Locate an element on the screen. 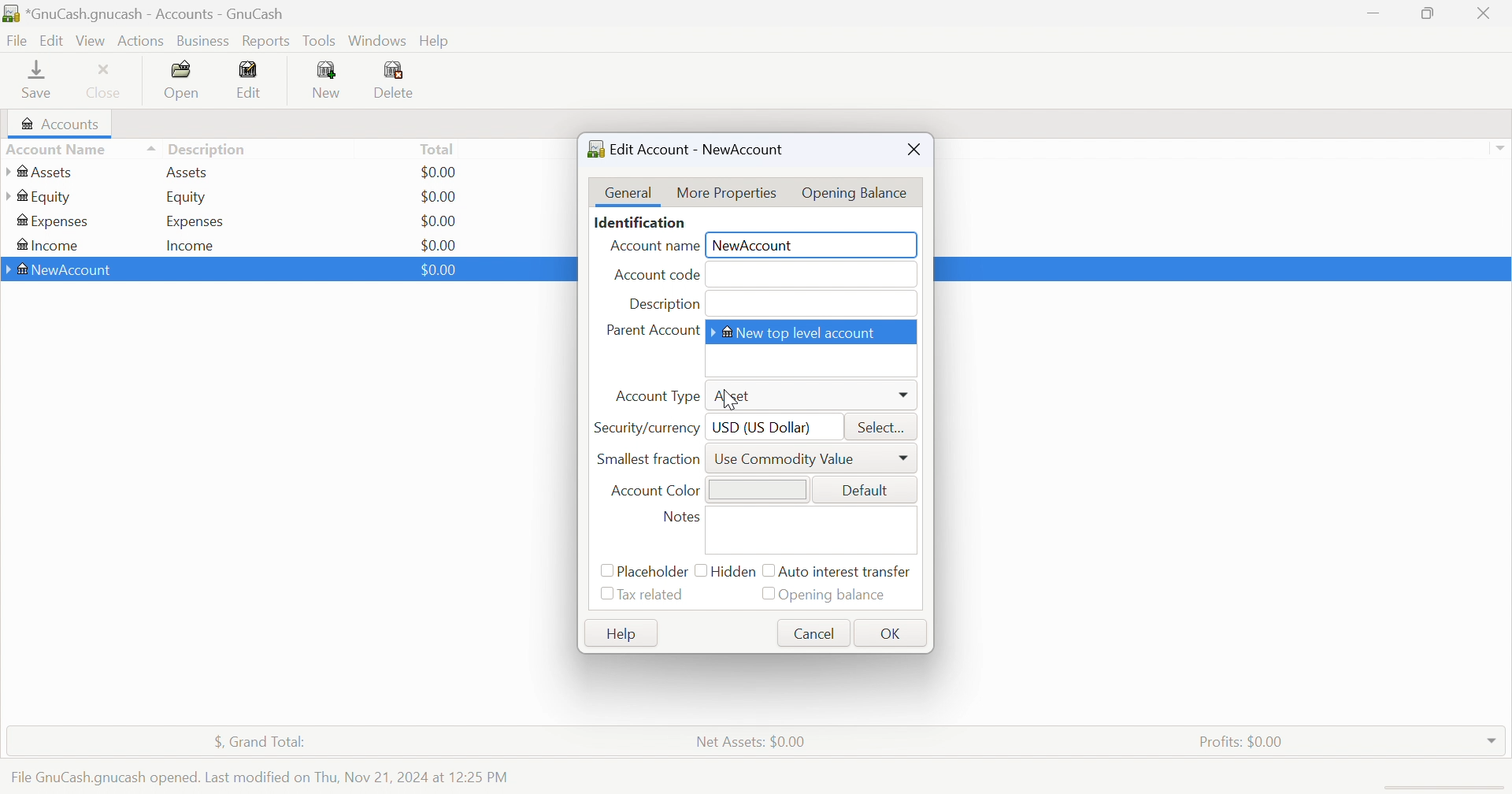 This screenshot has width=1512, height=794. Parent Account is located at coordinates (650, 332).